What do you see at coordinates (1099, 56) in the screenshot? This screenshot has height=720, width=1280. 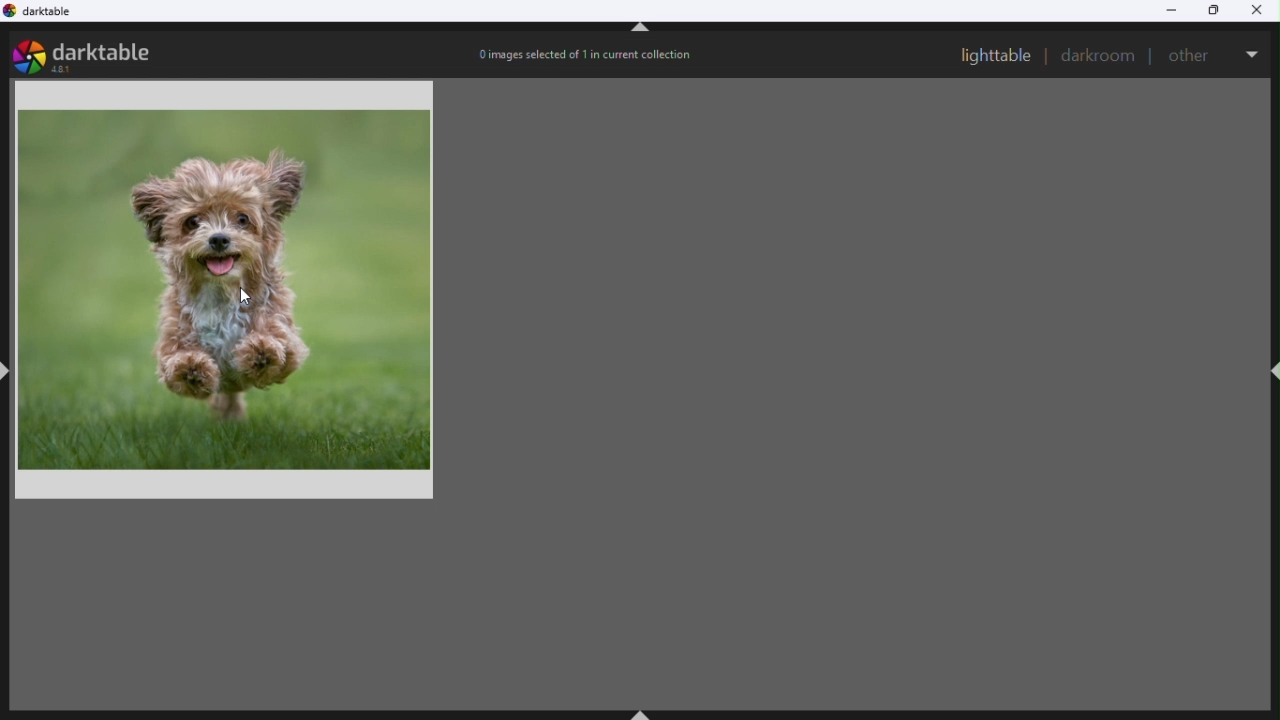 I see `Dark room` at bounding box center [1099, 56].